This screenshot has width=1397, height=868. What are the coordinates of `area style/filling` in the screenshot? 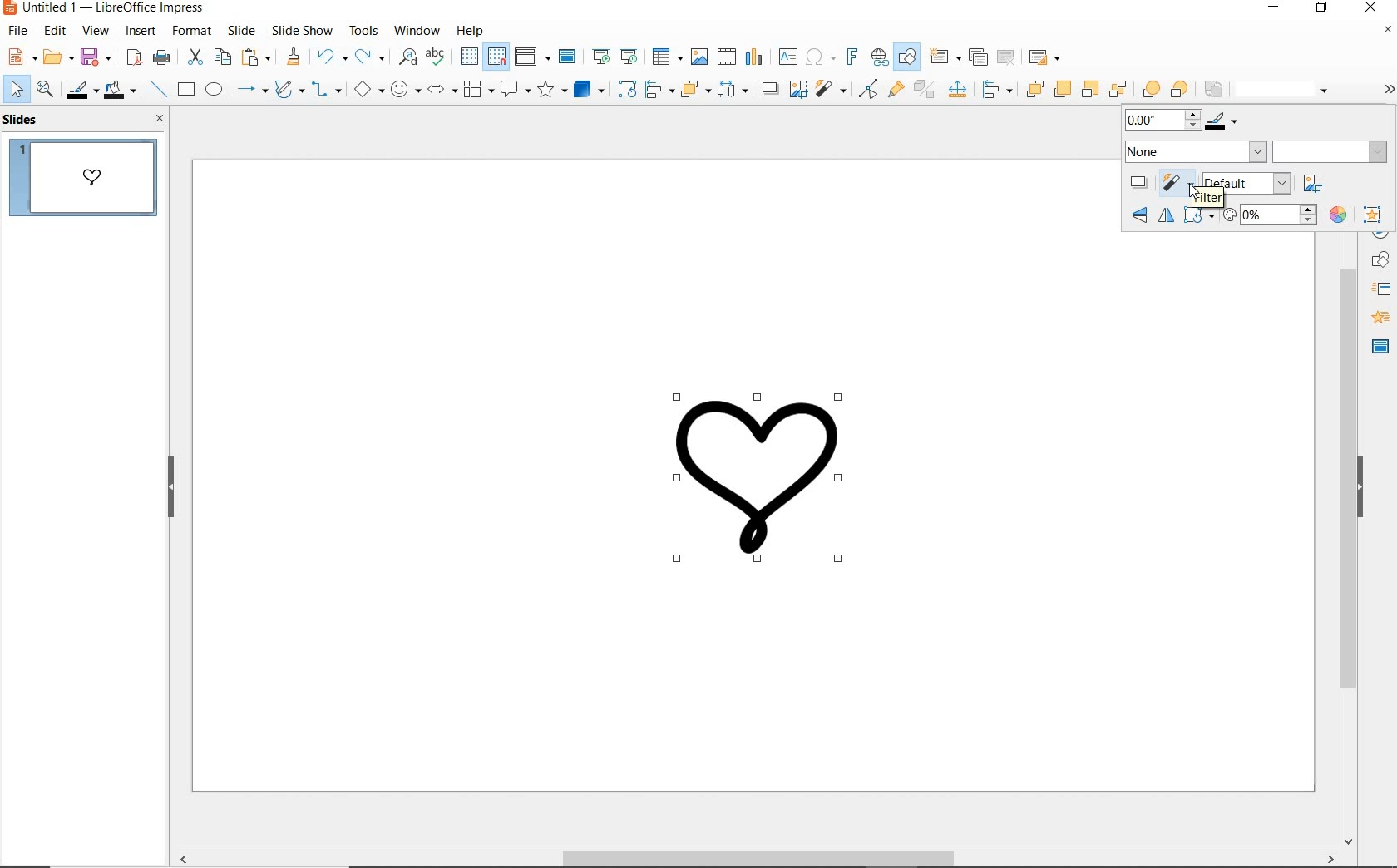 It's located at (1252, 152).